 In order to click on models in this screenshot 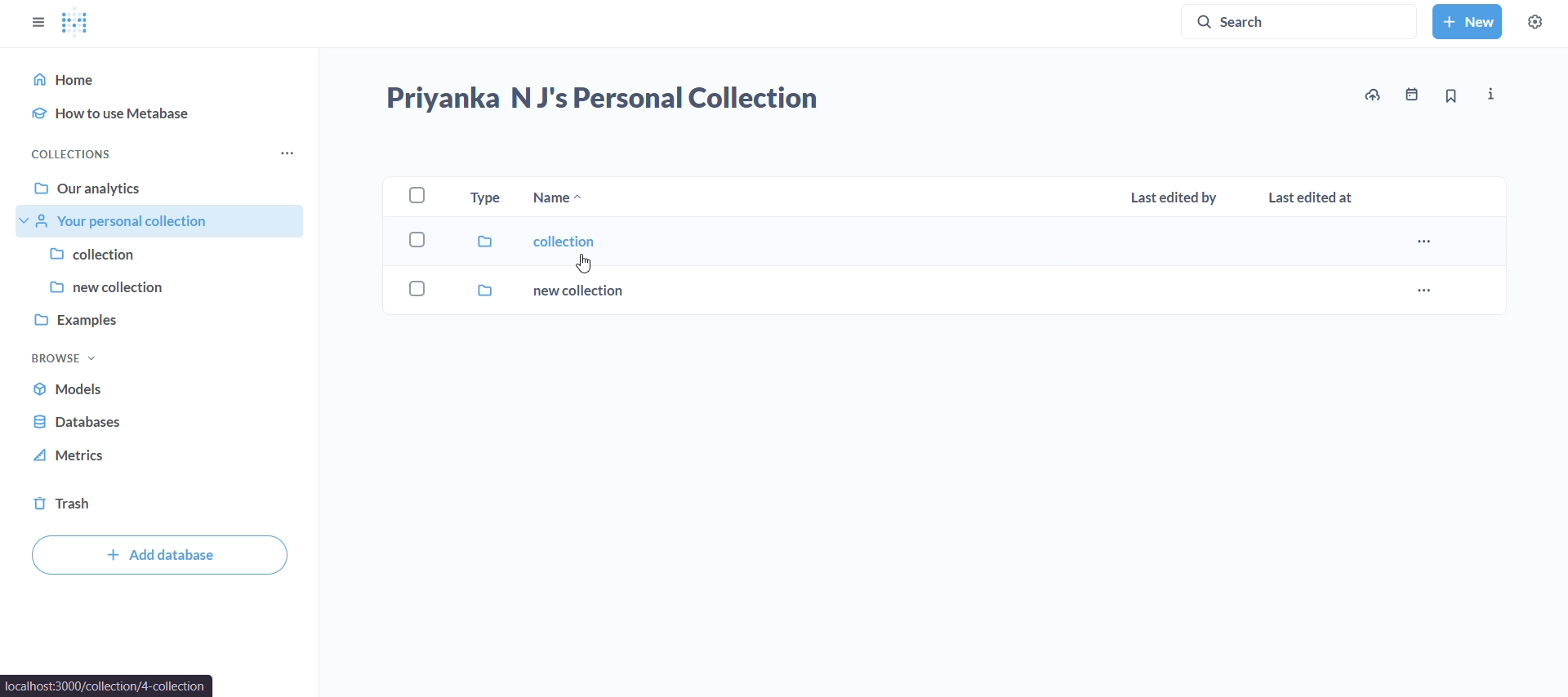, I will do `click(87, 392)`.